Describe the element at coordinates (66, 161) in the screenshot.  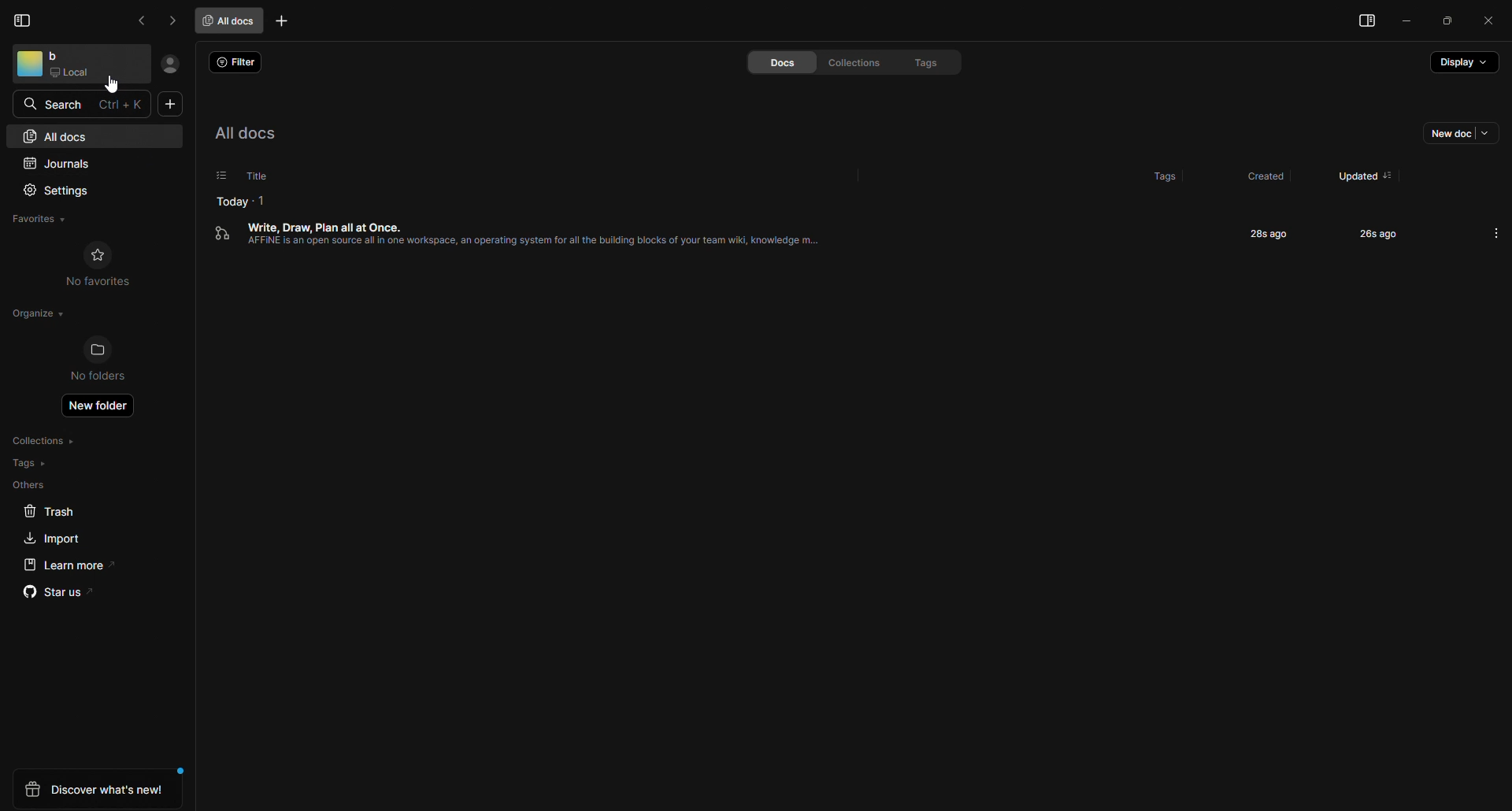
I see `journals` at that location.